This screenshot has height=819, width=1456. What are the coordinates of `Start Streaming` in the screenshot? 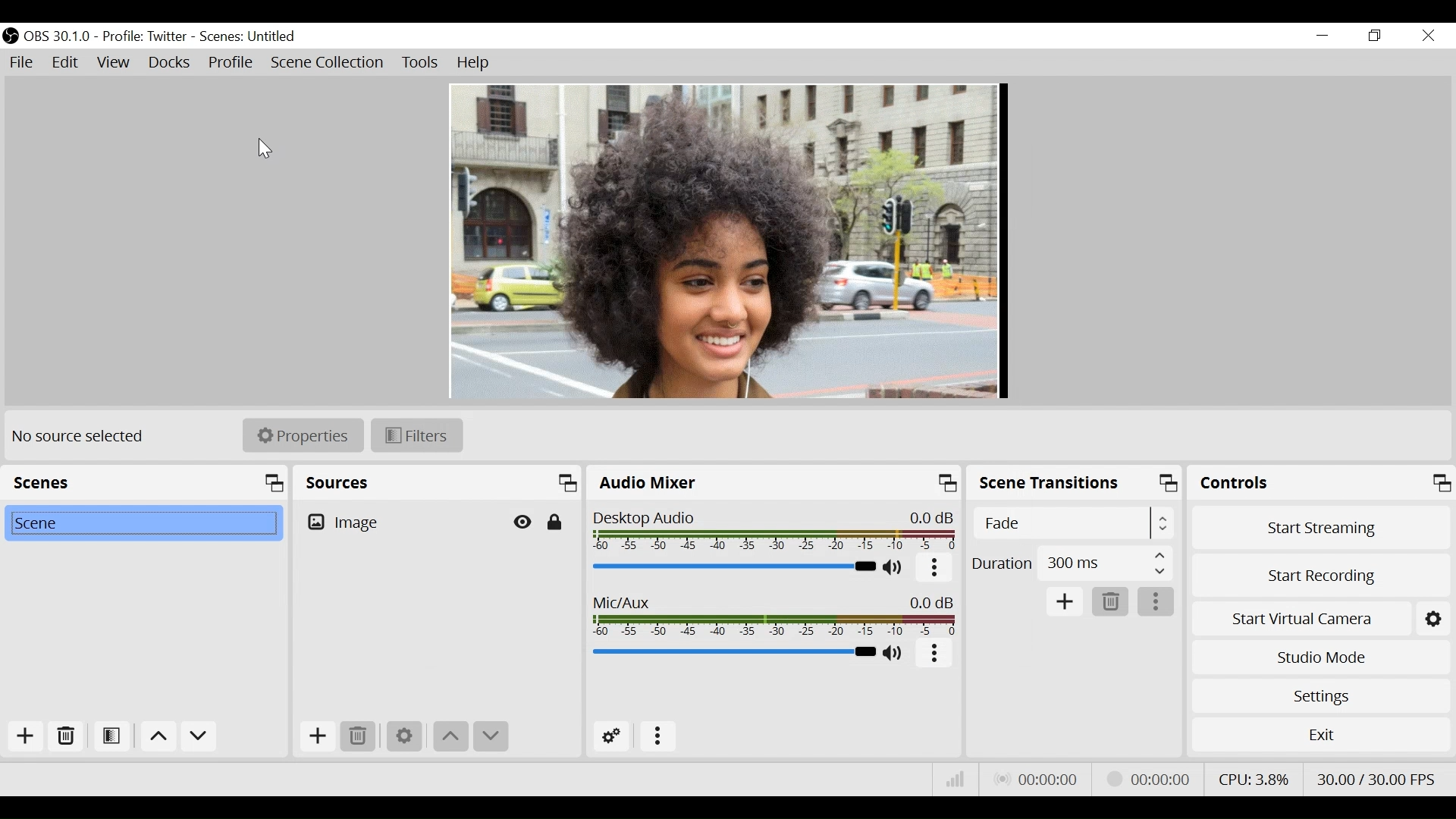 It's located at (1321, 526).